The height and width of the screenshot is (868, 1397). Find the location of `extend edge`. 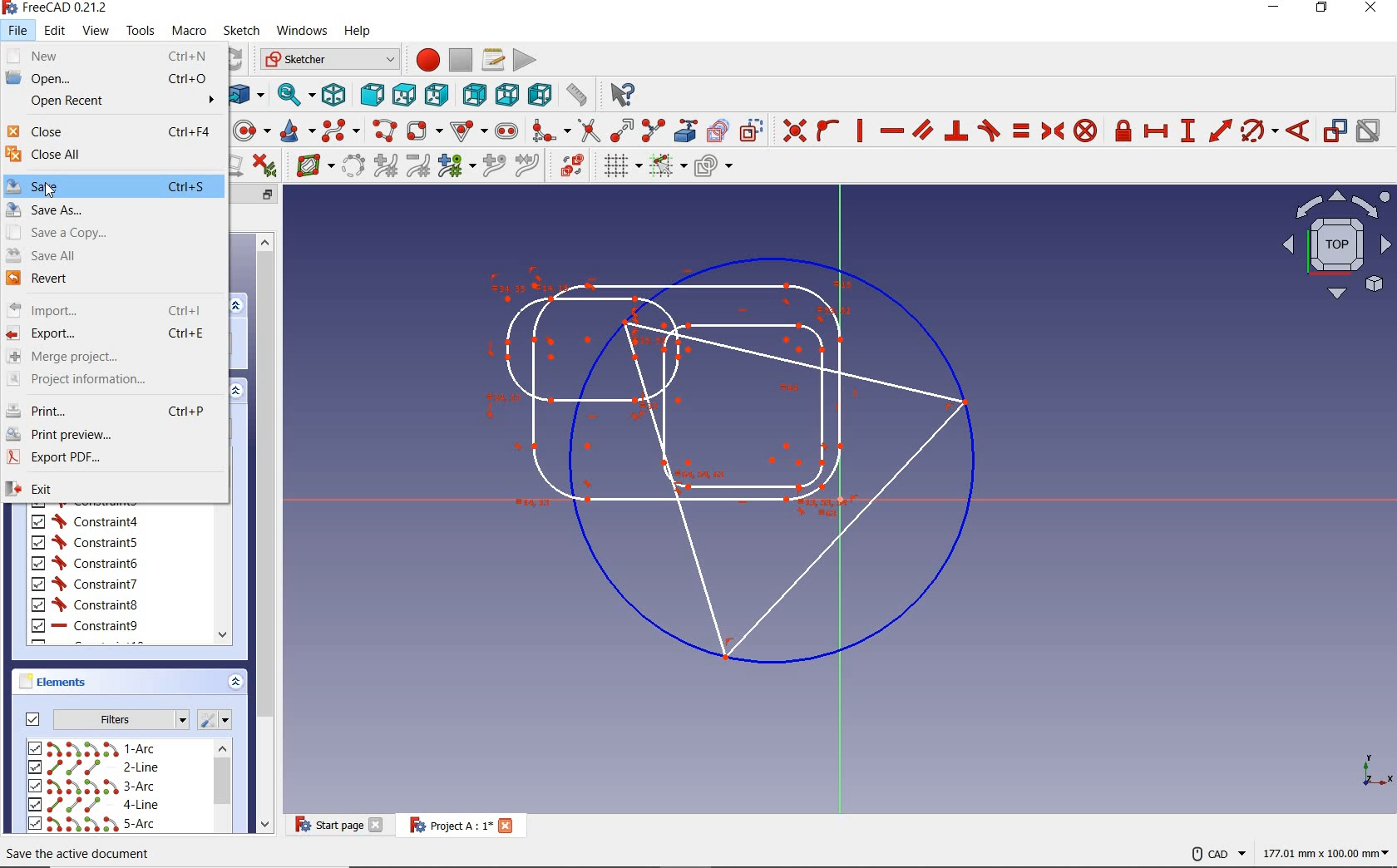

extend edge is located at coordinates (620, 130).